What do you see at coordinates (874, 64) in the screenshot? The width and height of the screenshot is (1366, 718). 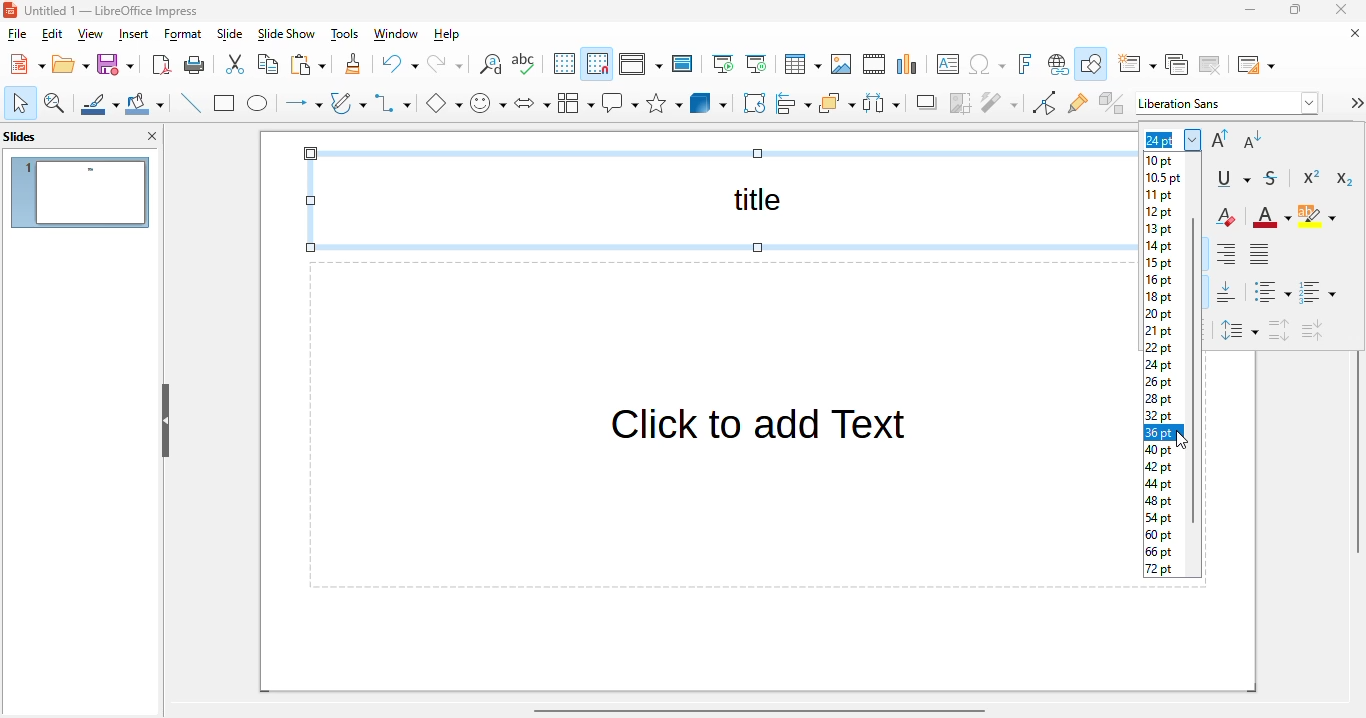 I see `insert audio or video` at bounding box center [874, 64].